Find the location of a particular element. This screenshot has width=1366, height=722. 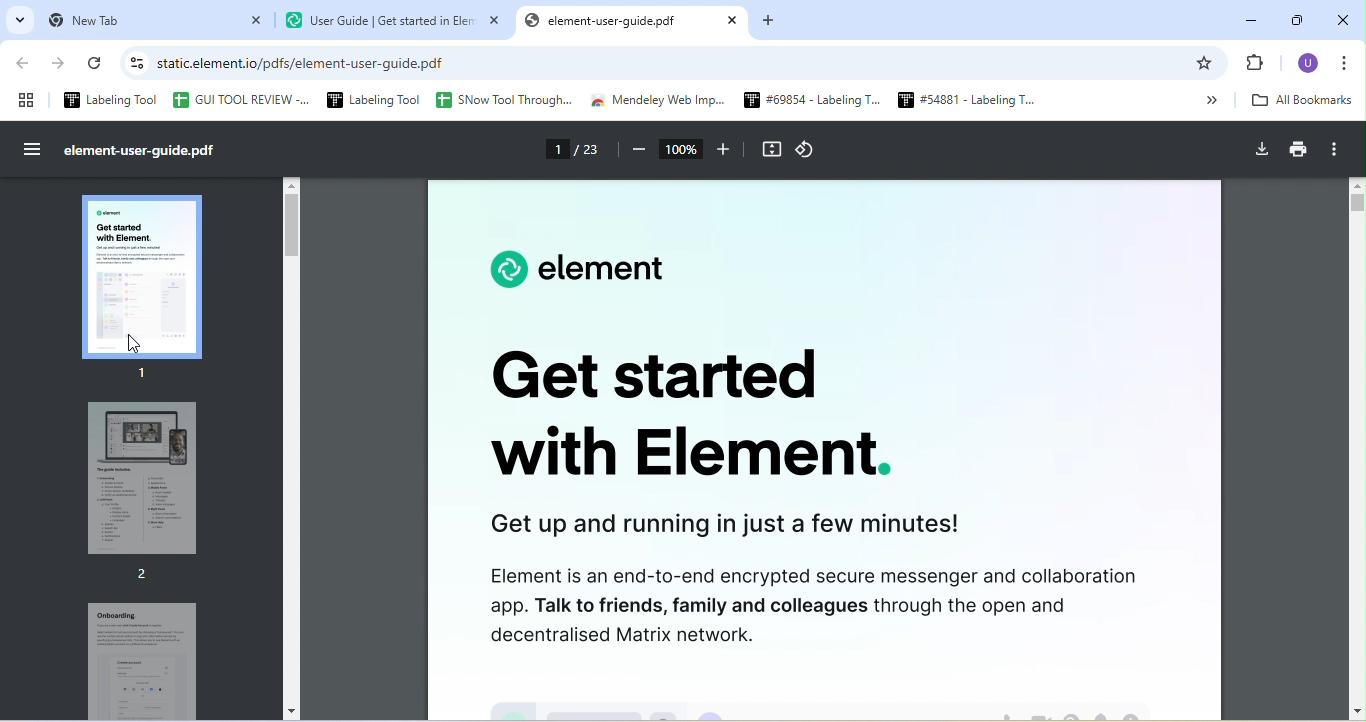

Collapse/Expand menu is located at coordinates (35, 150).